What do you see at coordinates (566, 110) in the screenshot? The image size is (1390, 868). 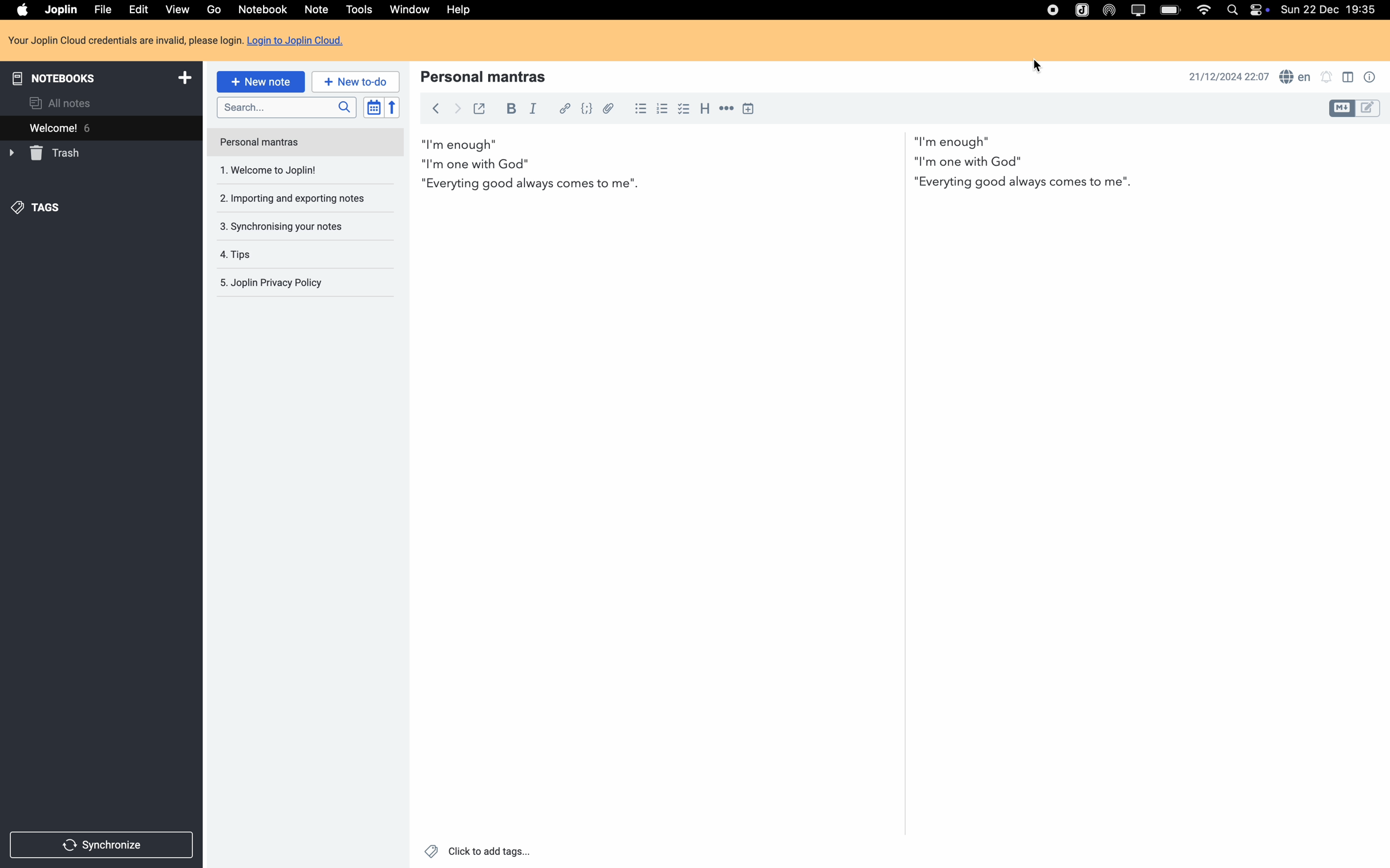 I see `hyperlink` at bounding box center [566, 110].